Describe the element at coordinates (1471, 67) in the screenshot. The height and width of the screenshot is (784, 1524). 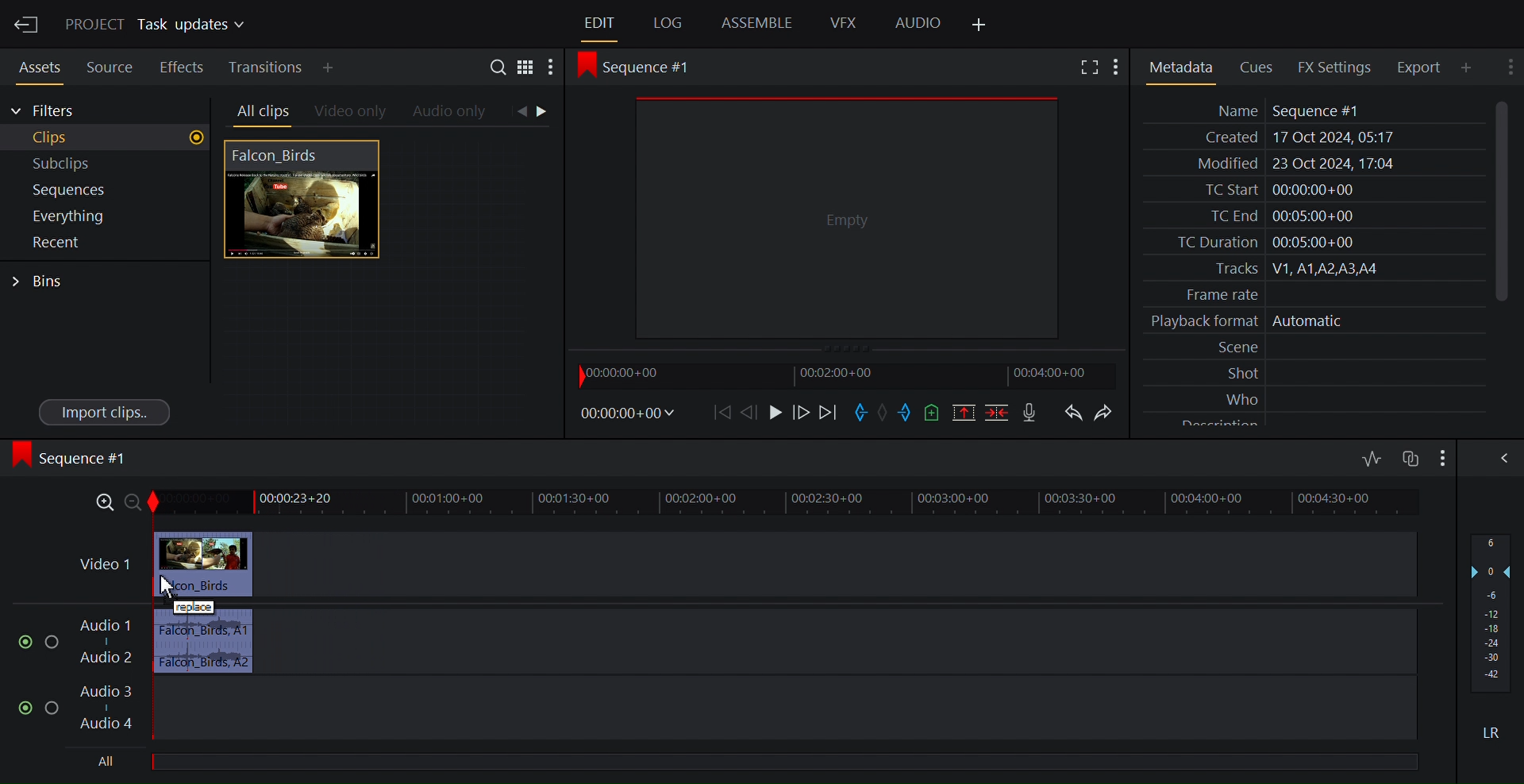
I see `Add Panle` at that location.